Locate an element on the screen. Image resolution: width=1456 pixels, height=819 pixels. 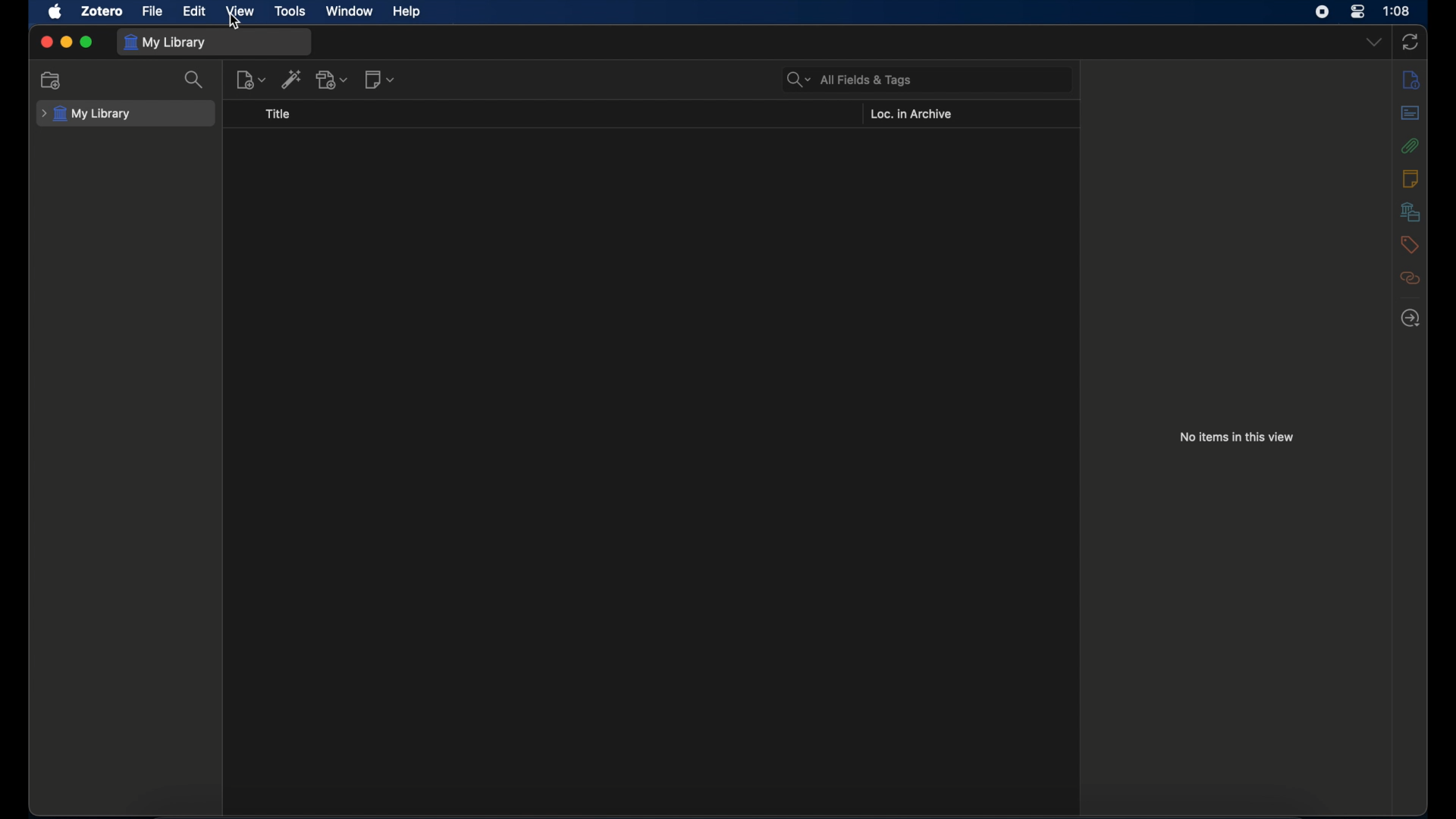
file is located at coordinates (153, 11).